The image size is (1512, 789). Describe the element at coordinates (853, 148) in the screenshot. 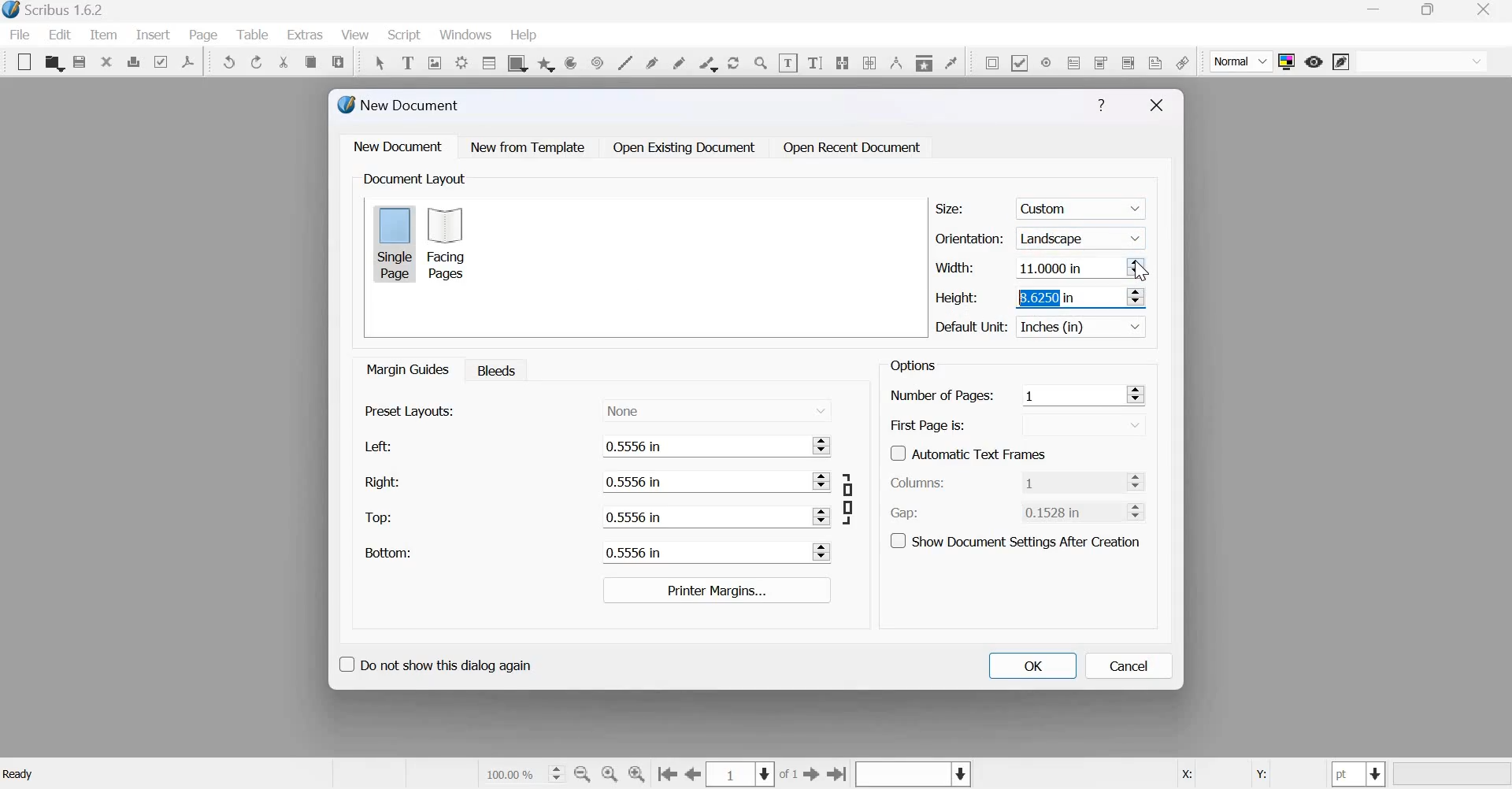

I see `Open Recent Document` at that location.